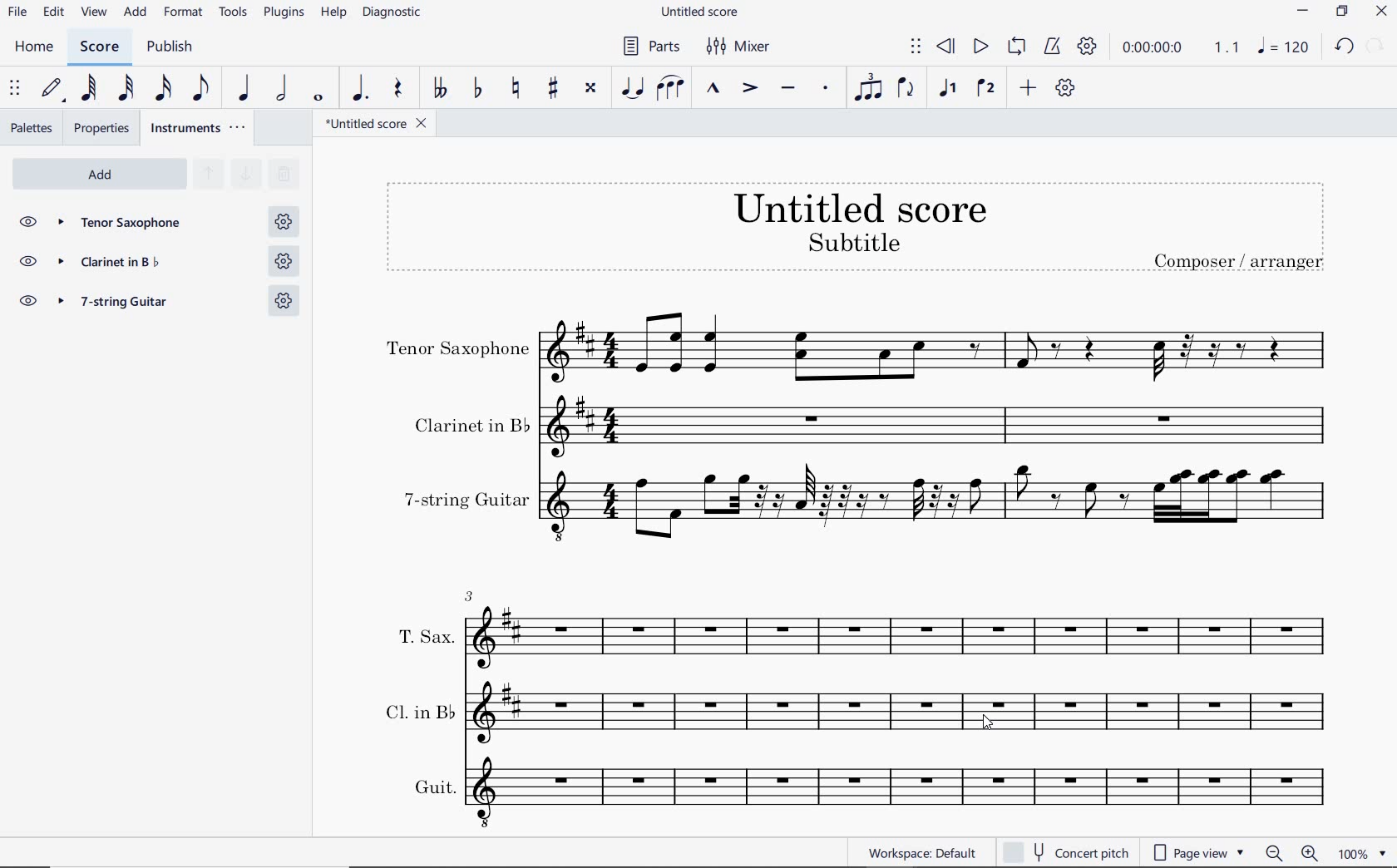 This screenshot has height=868, width=1397. I want to click on VIEW, so click(96, 13).